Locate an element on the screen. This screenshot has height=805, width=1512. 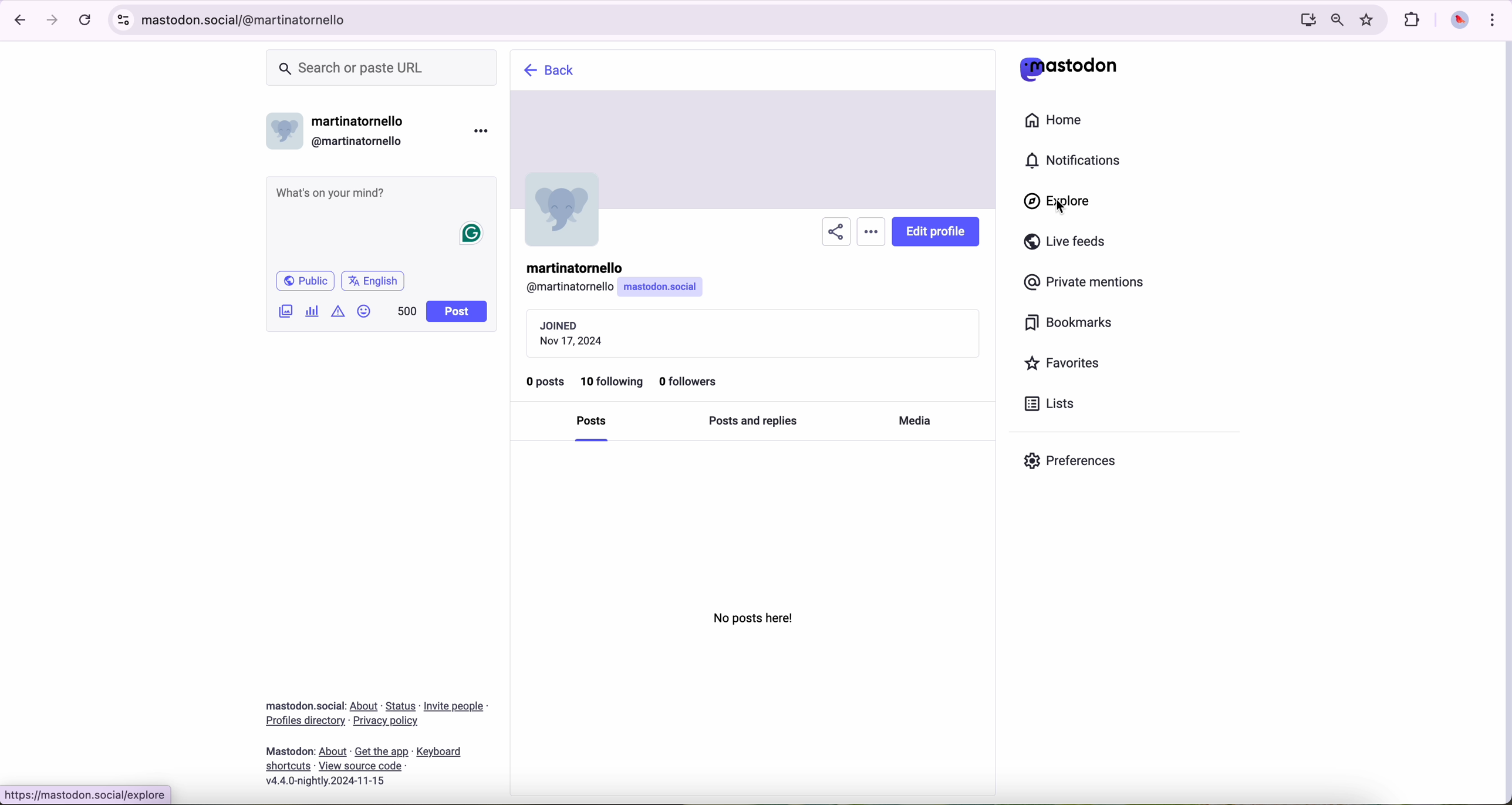
lists is located at coordinates (1054, 404).